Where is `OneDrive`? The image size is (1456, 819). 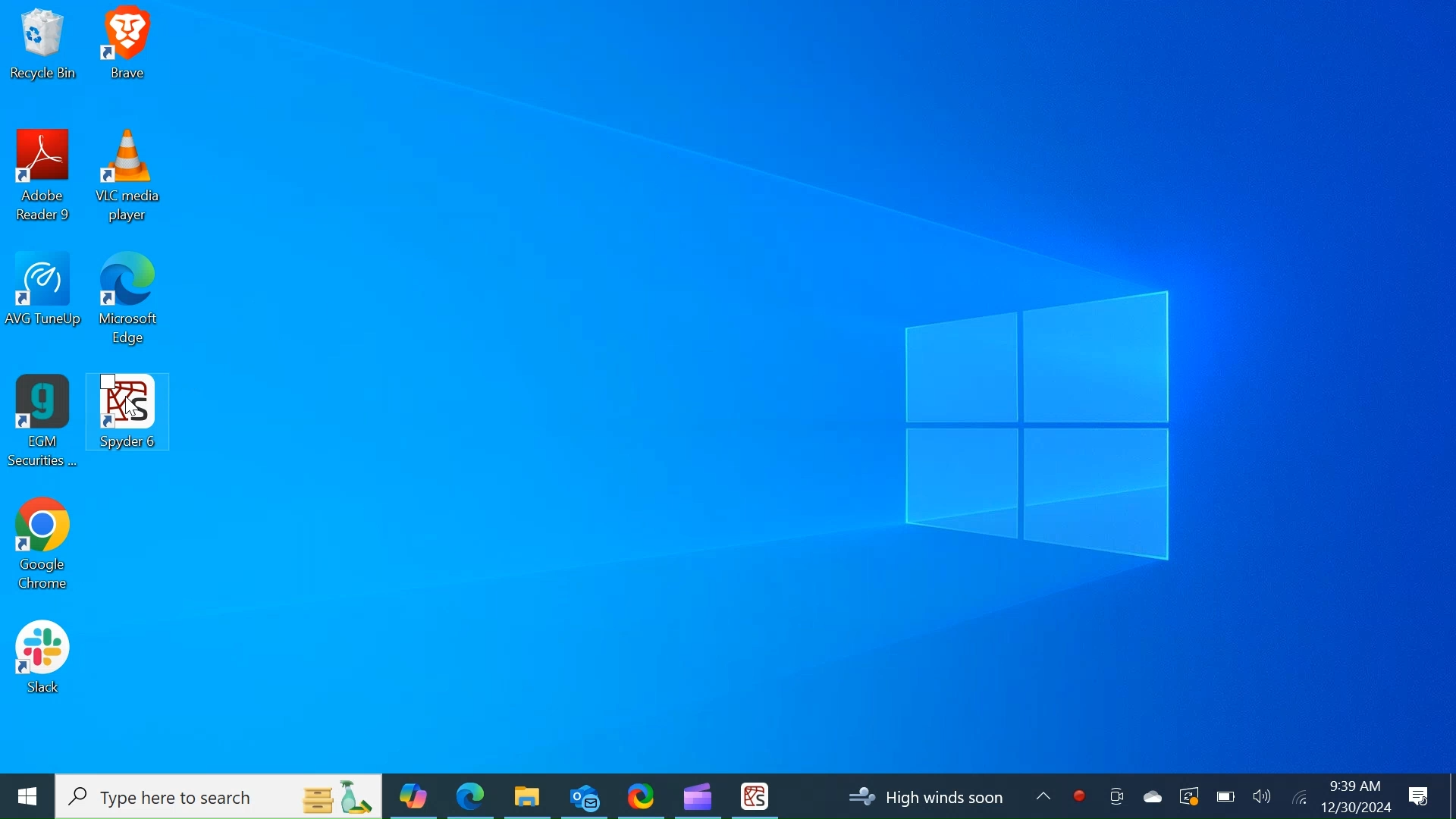
OneDrive is located at coordinates (1150, 795).